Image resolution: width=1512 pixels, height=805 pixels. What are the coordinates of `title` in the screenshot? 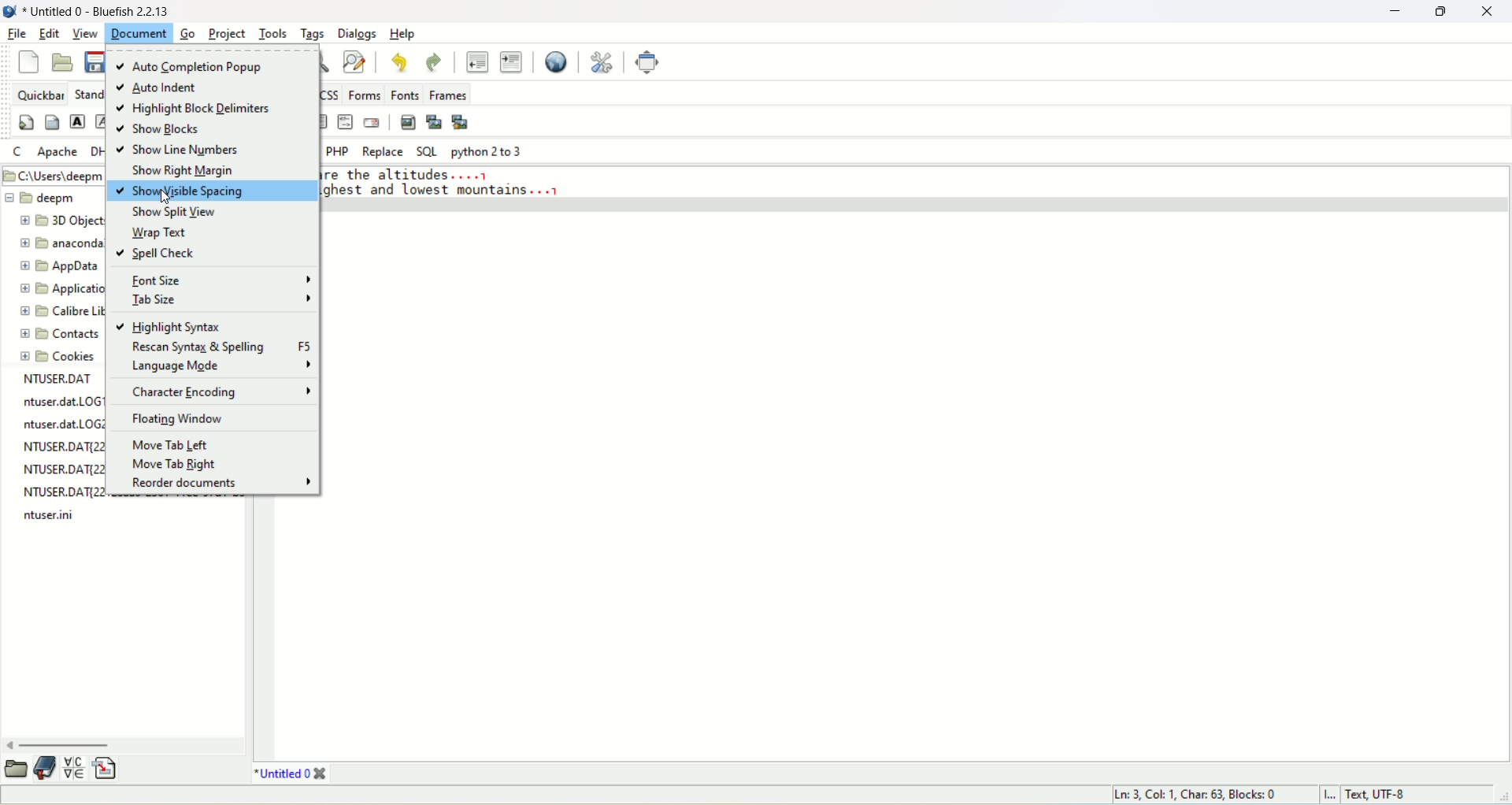 It's located at (289, 774).